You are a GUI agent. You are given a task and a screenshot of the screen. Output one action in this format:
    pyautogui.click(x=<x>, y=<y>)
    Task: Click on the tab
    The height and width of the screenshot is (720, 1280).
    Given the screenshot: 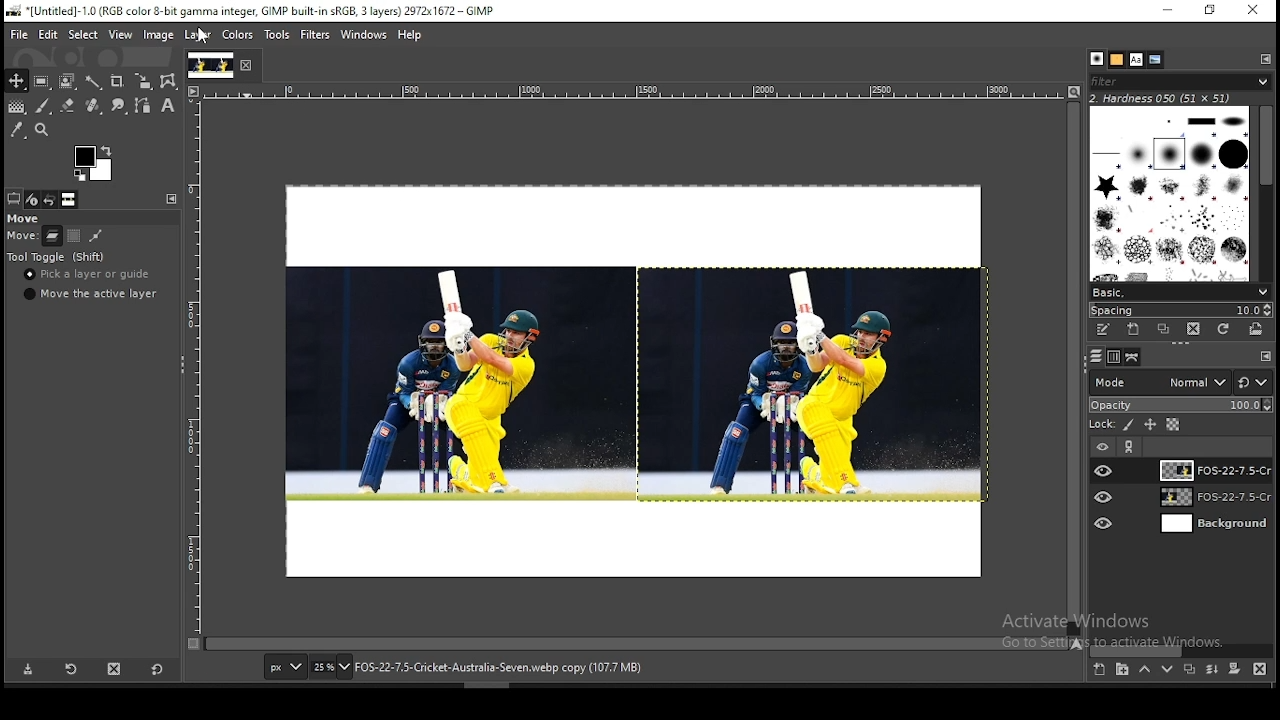 What is the action you would take?
    pyautogui.click(x=209, y=65)
    